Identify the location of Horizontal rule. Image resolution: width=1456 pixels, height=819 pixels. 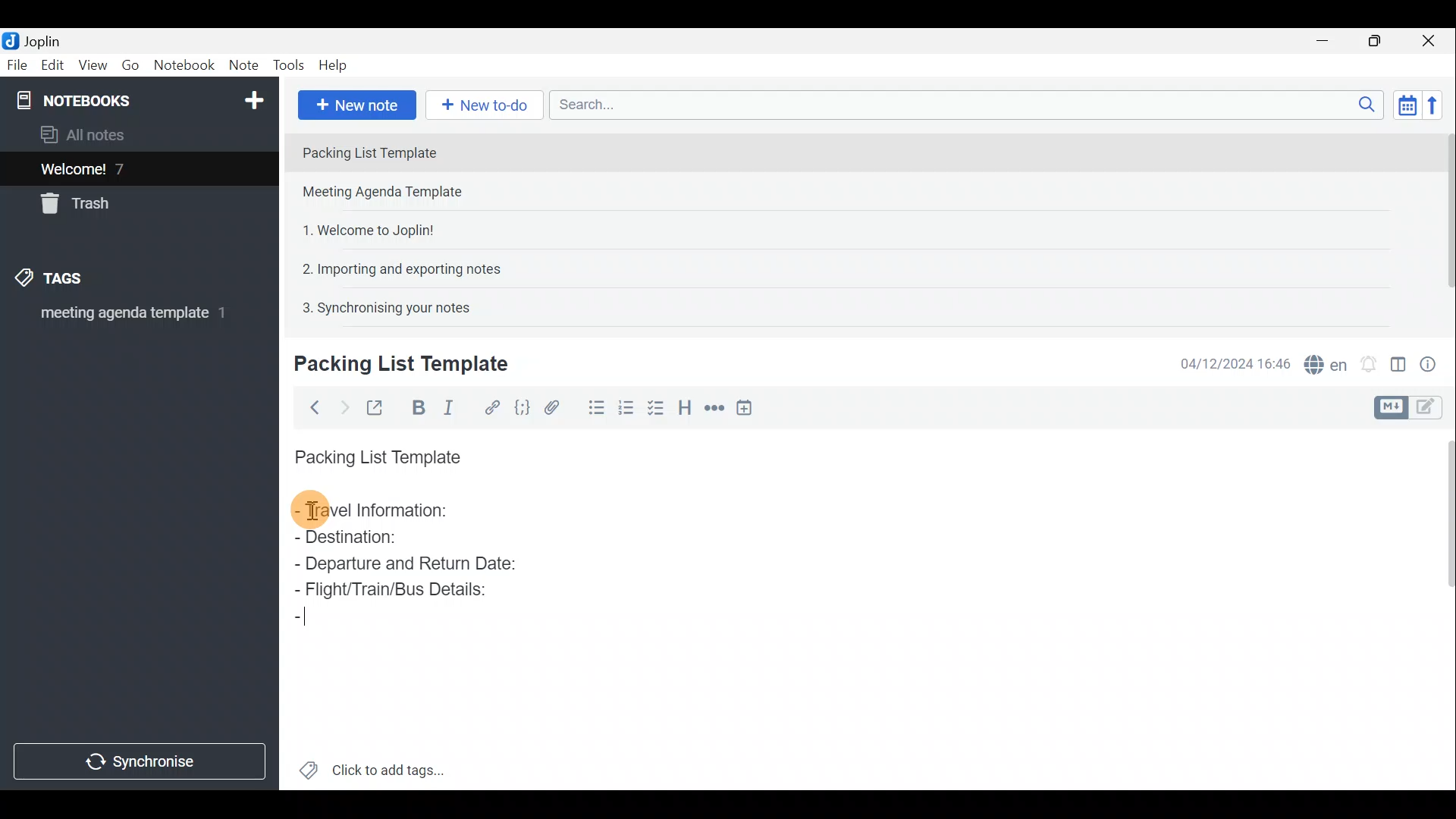
(712, 408).